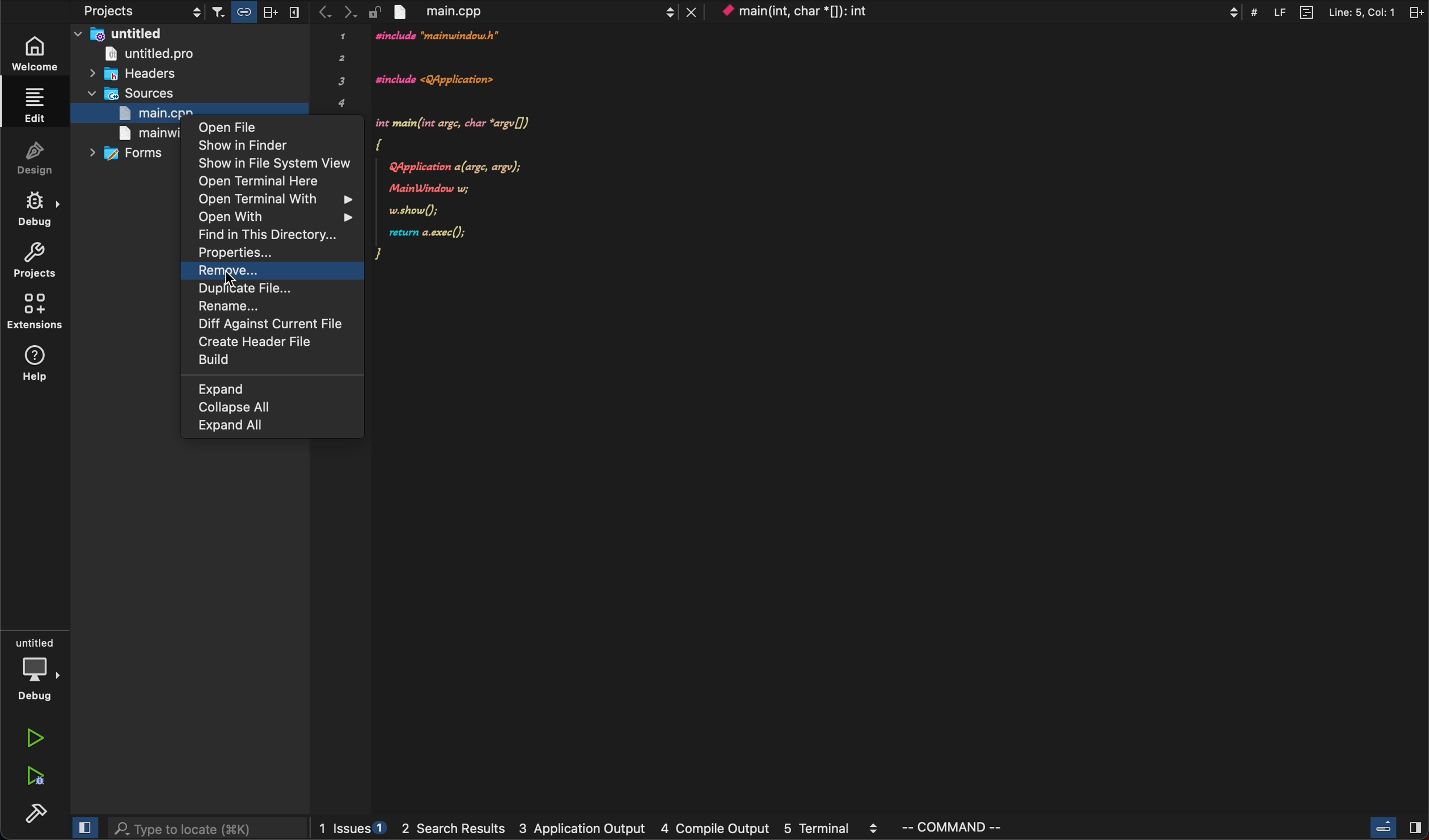  I want to click on run, so click(33, 740).